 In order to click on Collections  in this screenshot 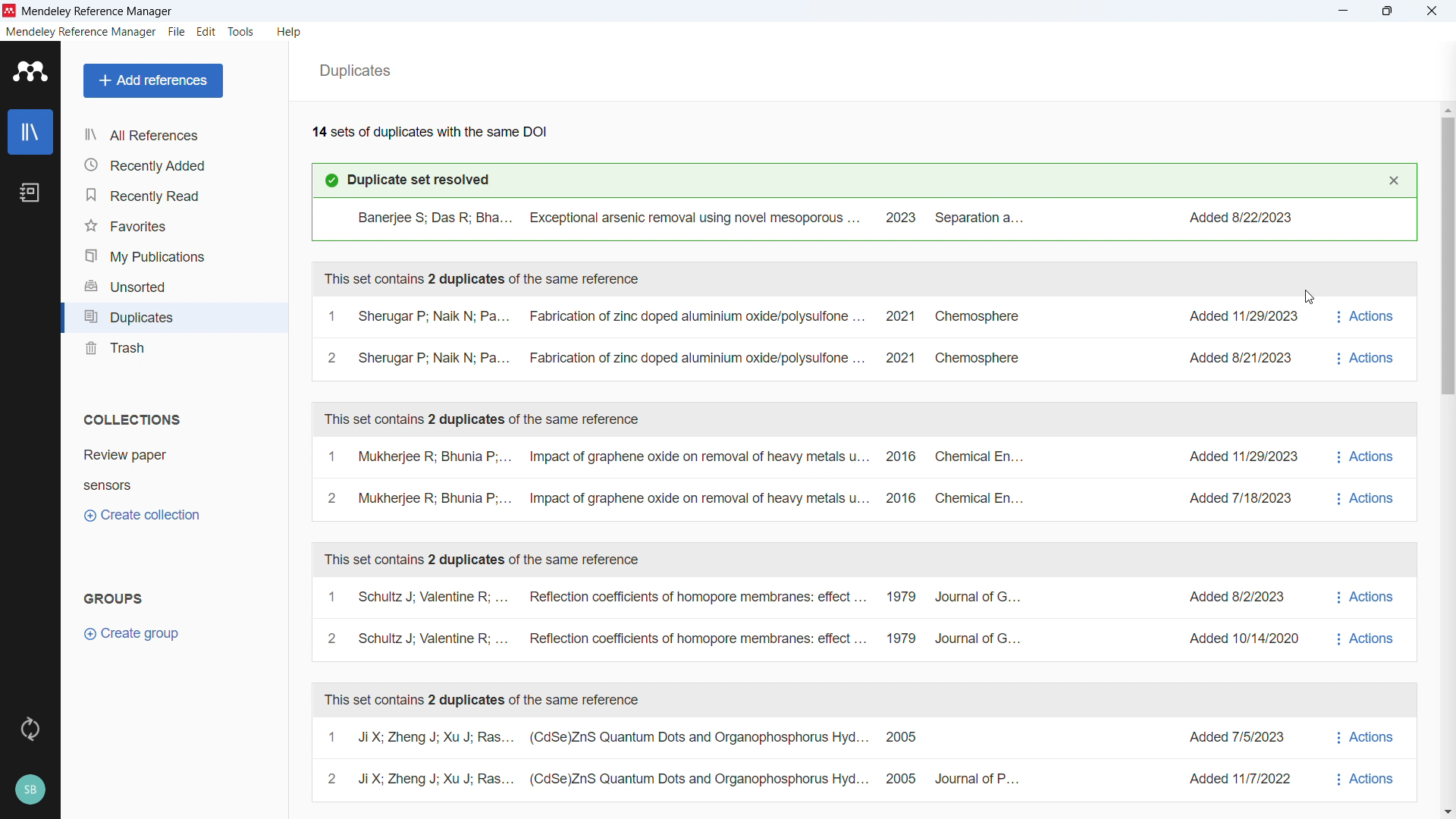, I will do `click(133, 420)`.